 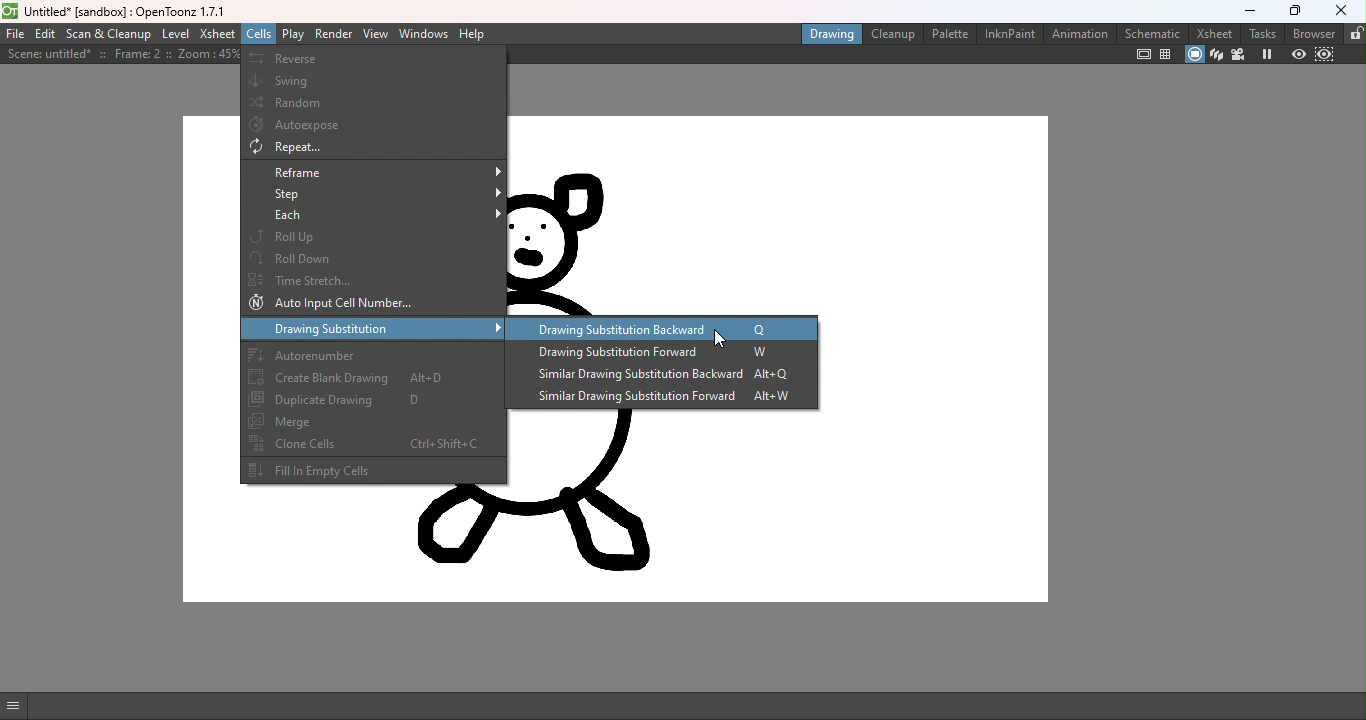 I want to click on Palette, so click(x=949, y=33).